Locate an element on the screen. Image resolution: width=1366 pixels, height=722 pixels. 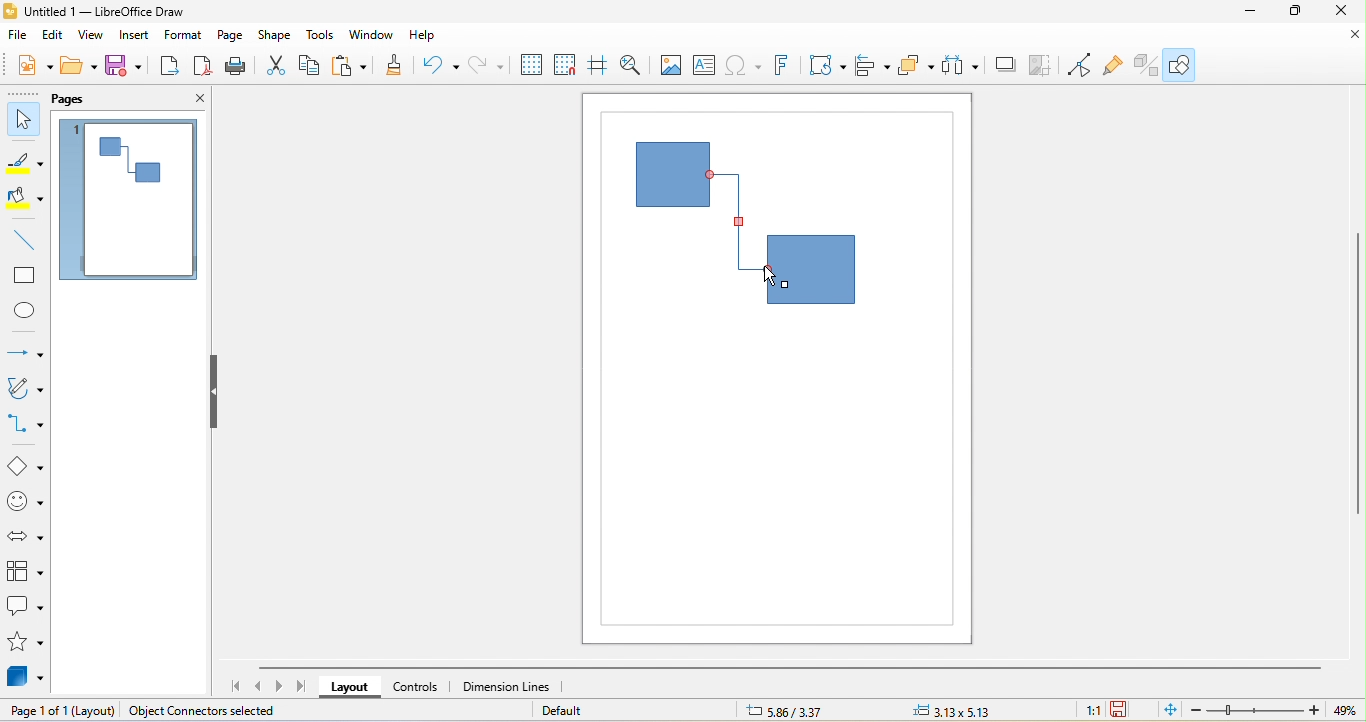
scroll to last page is located at coordinates (302, 688).